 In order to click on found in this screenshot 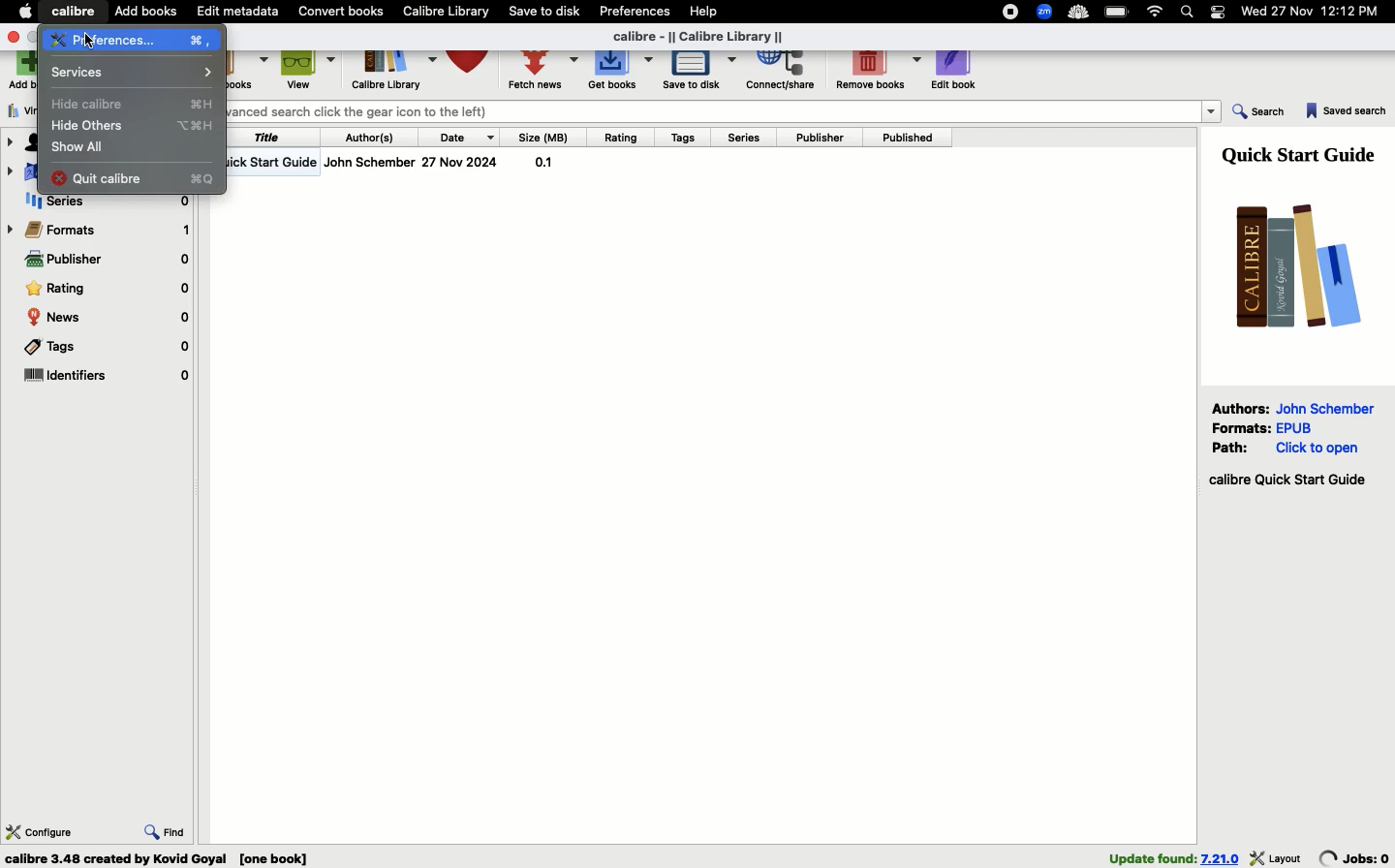, I will do `click(1152, 857)`.